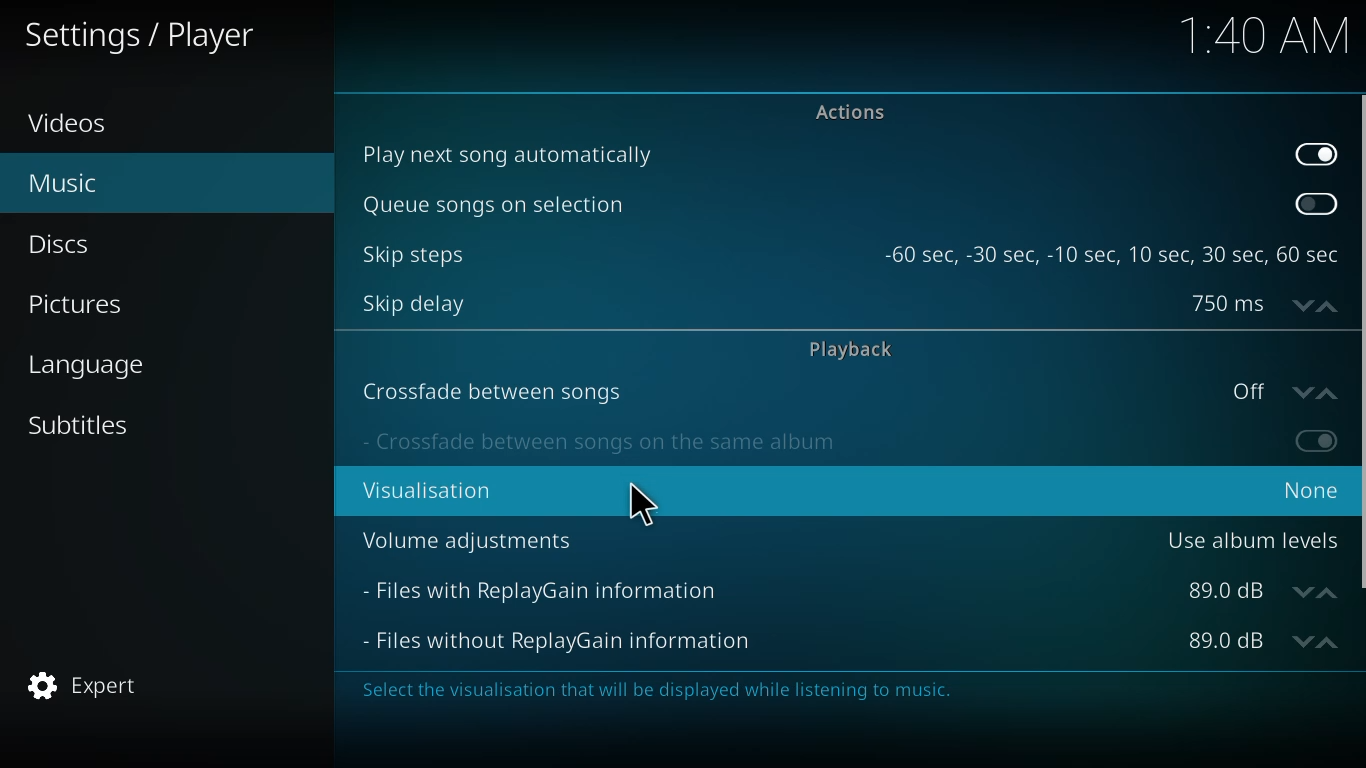 Image resolution: width=1366 pixels, height=768 pixels. I want to click on use album levels, so click(1252, 539).